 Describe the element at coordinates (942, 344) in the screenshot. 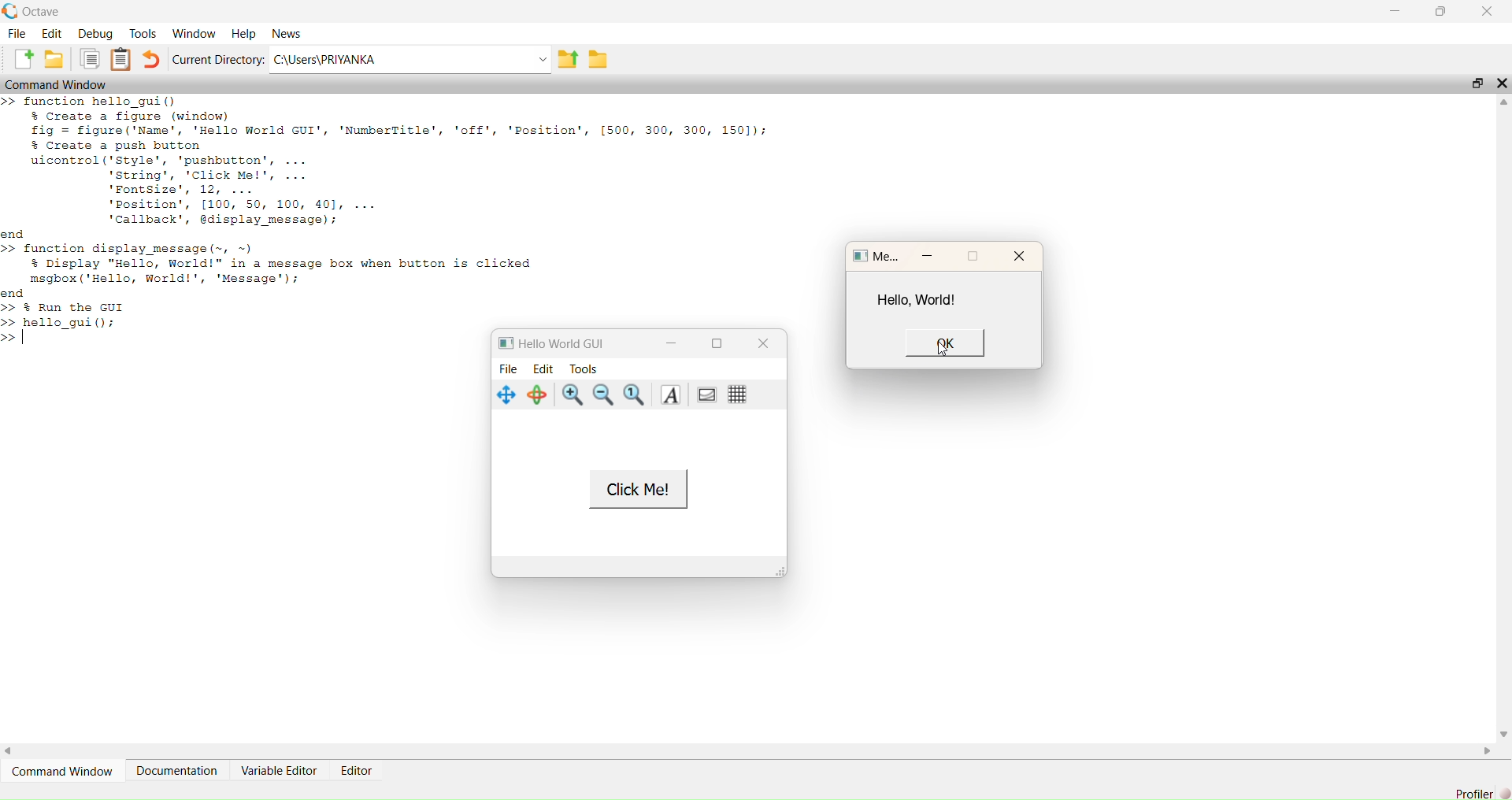

I see `ok` at that location.